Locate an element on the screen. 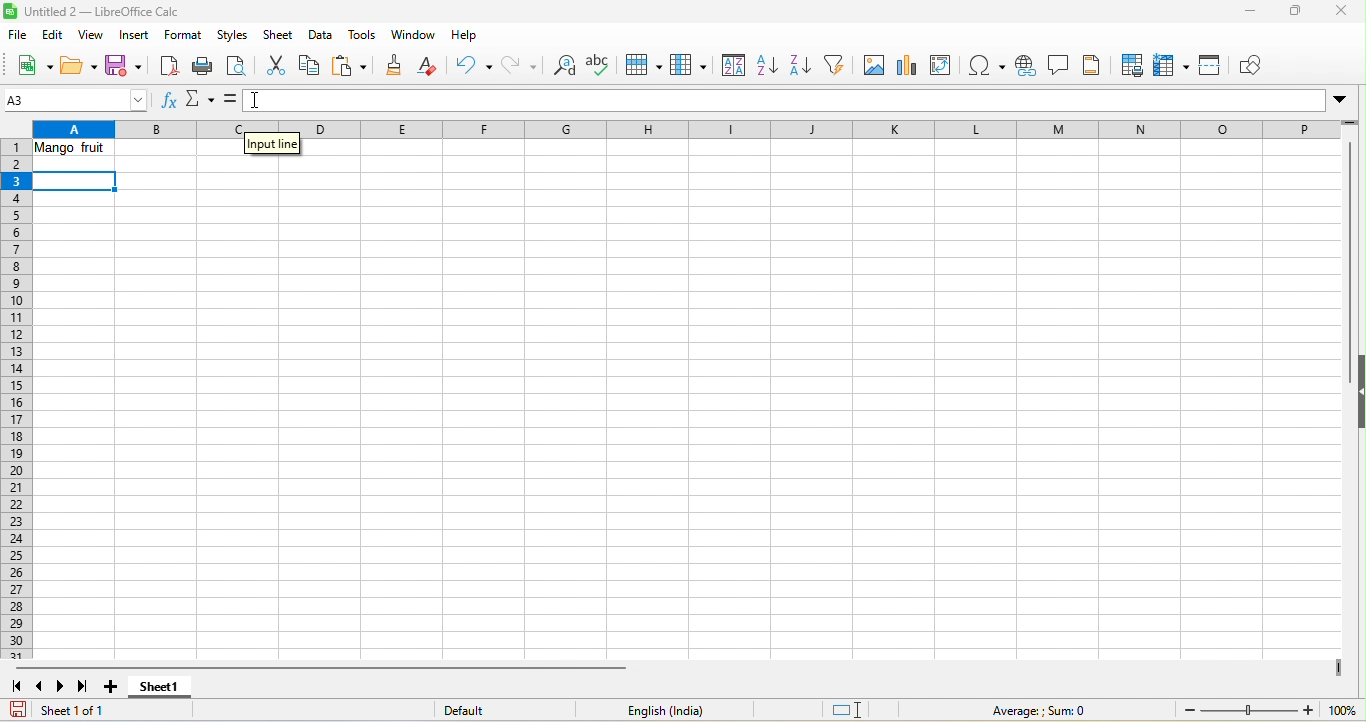  new is located at coordinates (31, 65).